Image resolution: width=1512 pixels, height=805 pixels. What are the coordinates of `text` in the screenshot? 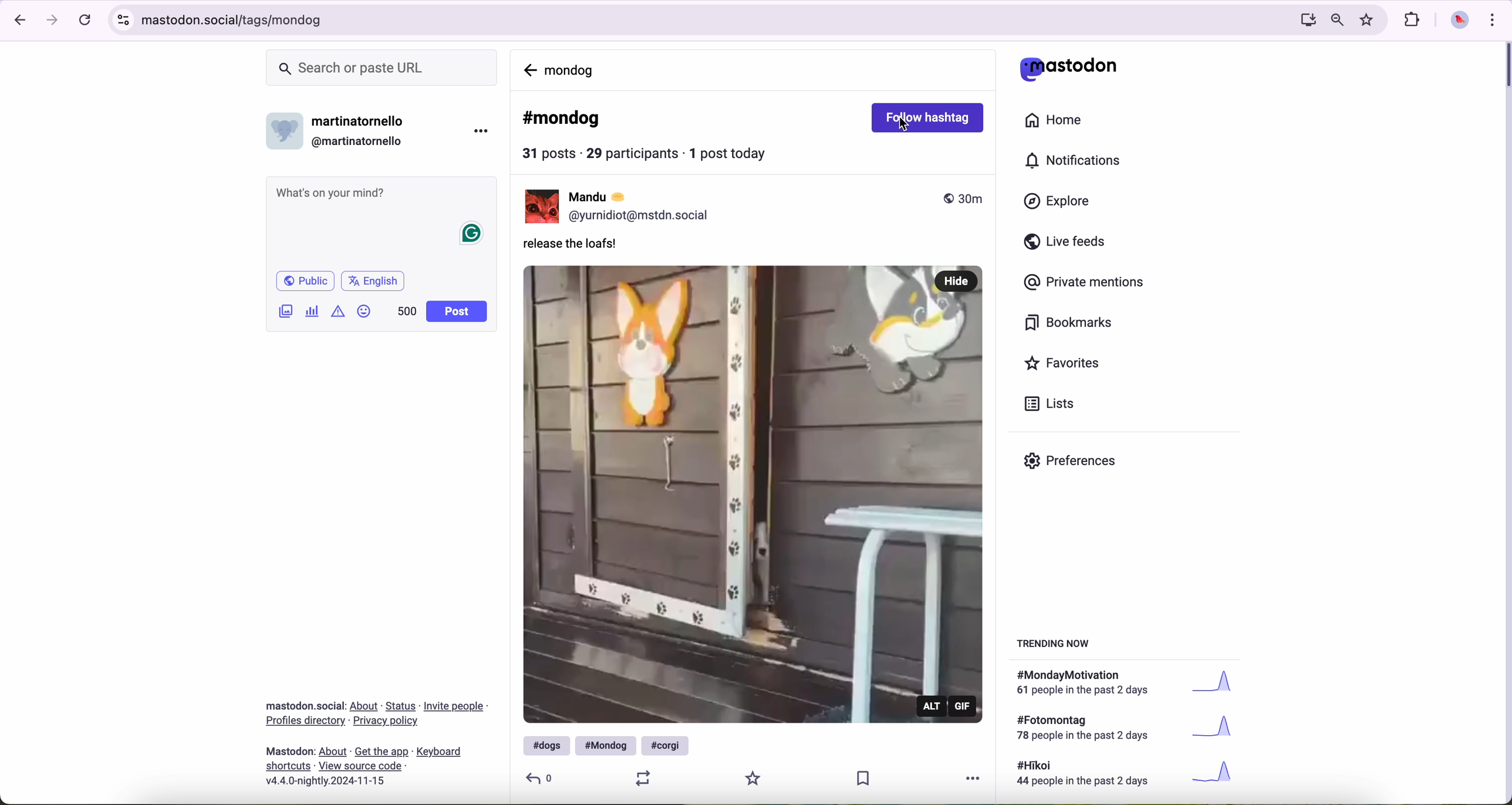 It's located at (1089, 775).